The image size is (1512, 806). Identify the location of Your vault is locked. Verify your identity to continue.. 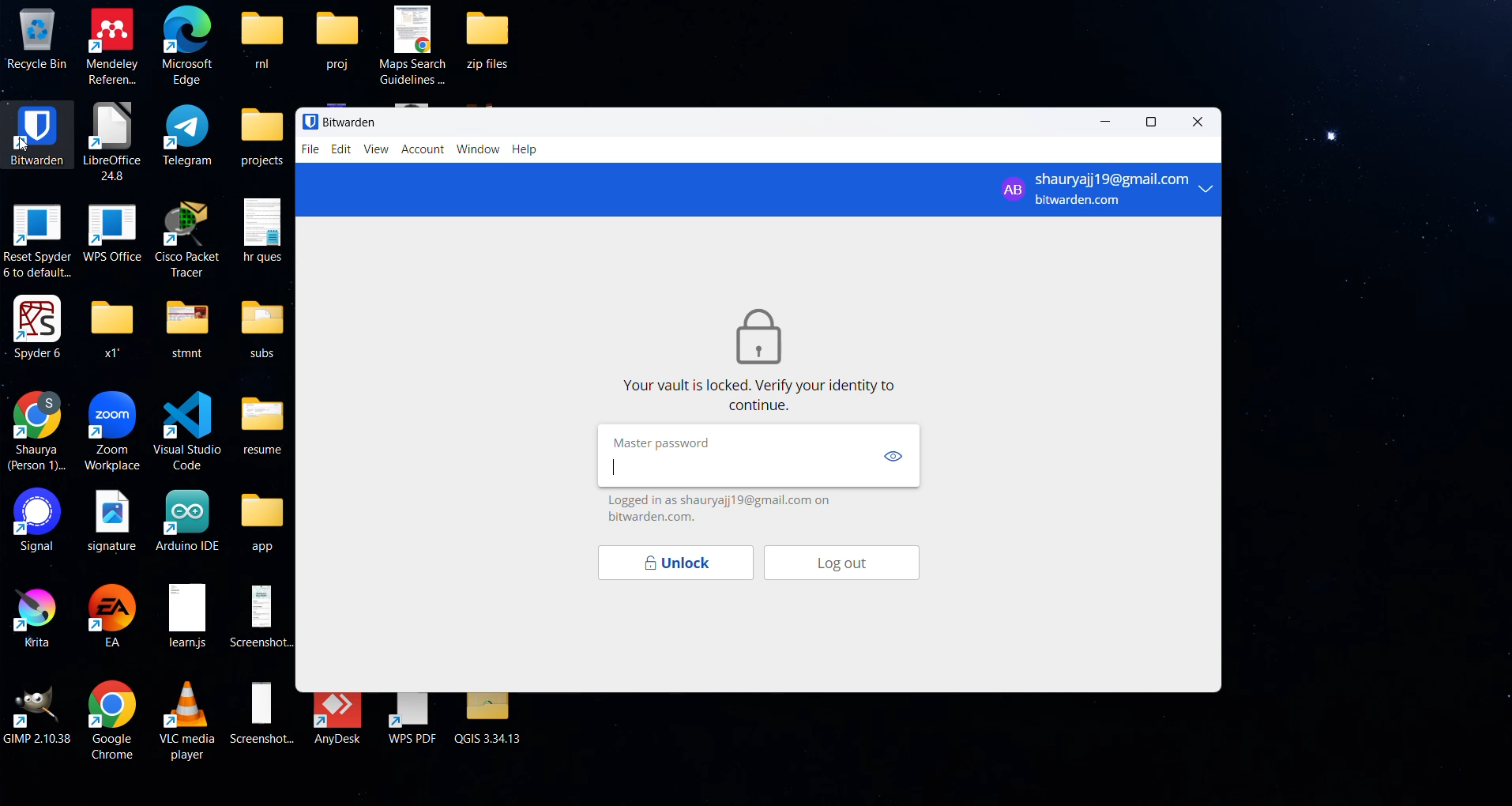
(763, 396).